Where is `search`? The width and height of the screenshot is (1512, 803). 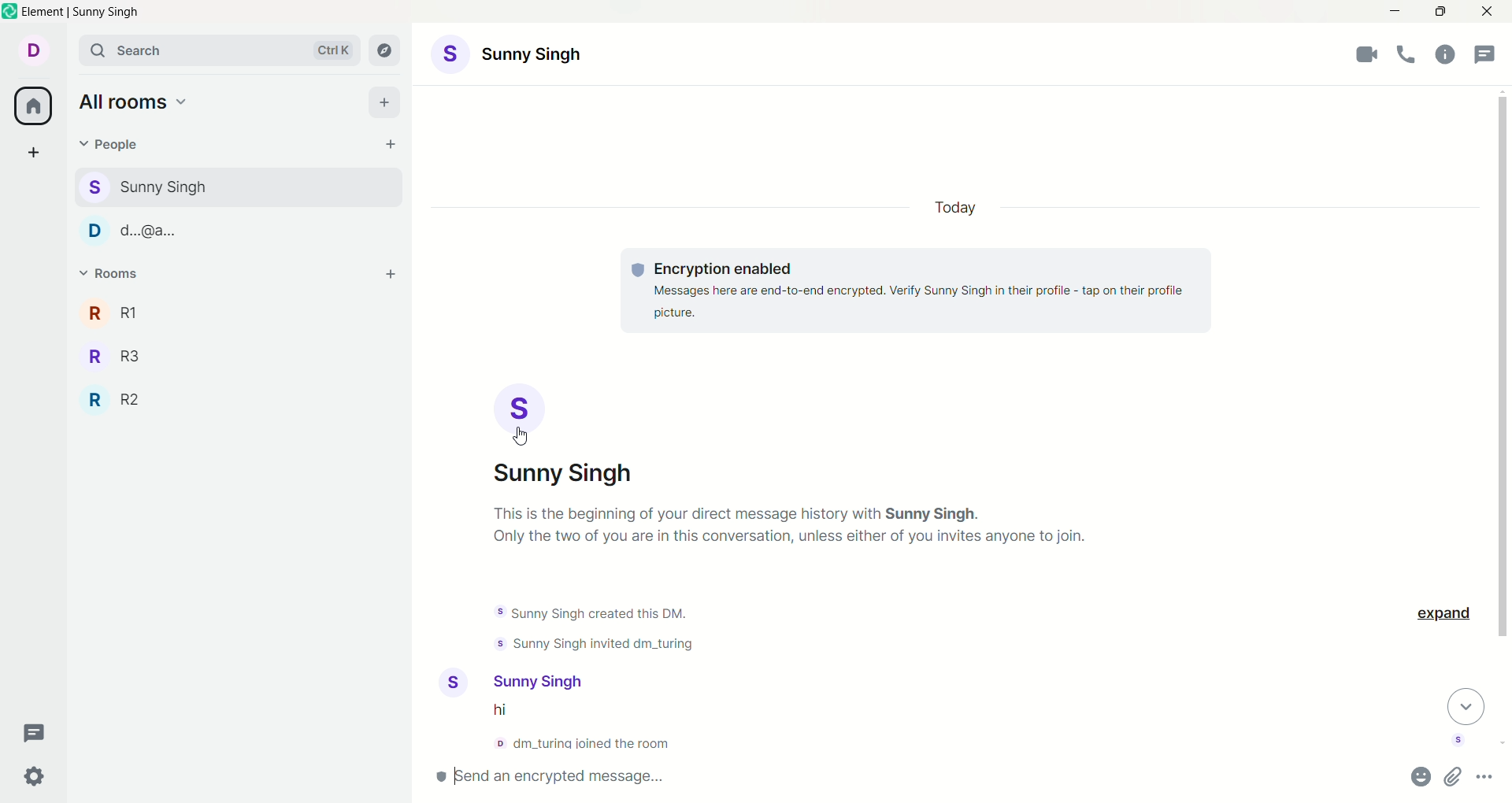 search is located at coordinates (220, 50).